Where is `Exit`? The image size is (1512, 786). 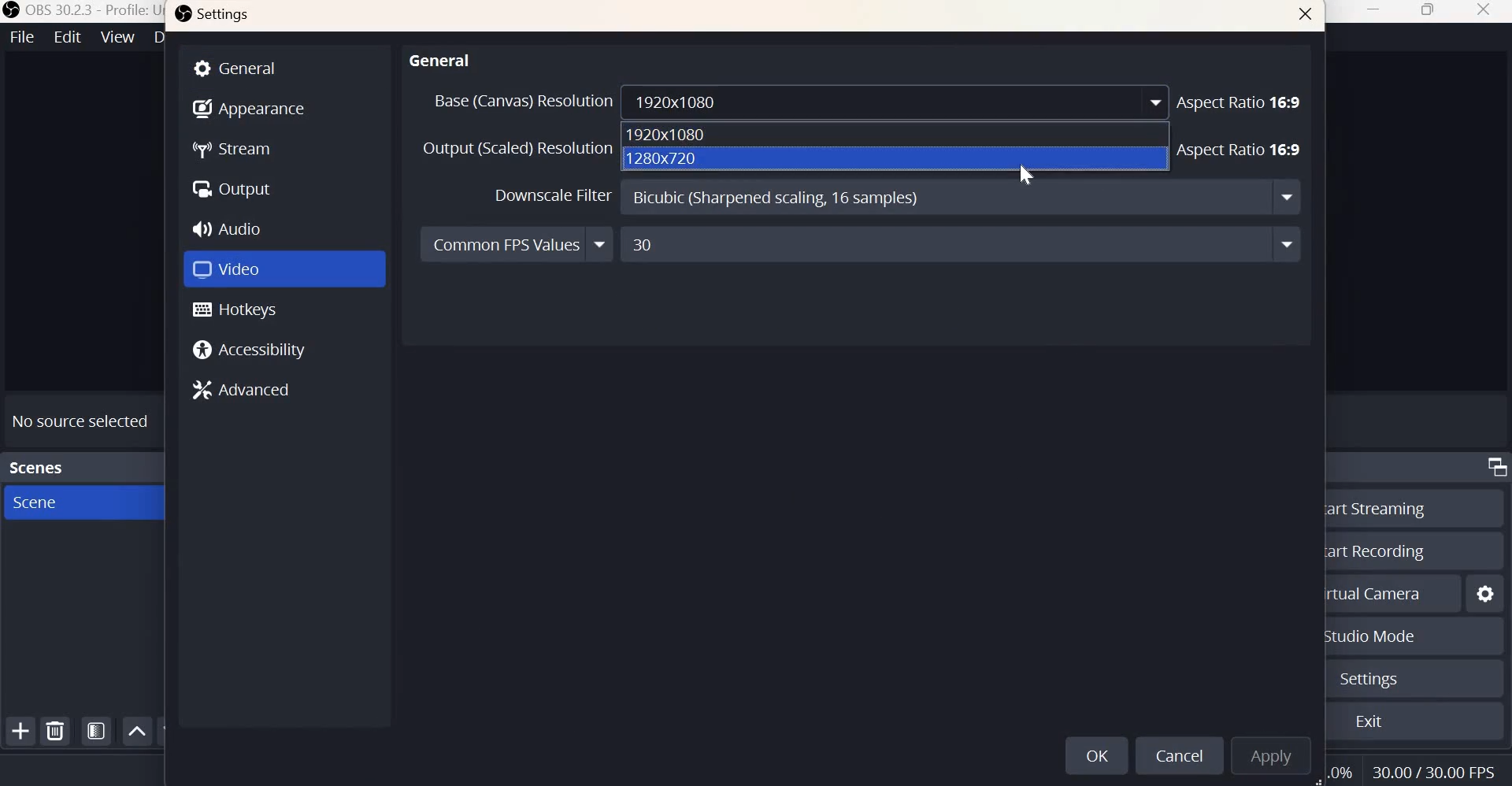 Exit is located at coordinates (1369, 723).